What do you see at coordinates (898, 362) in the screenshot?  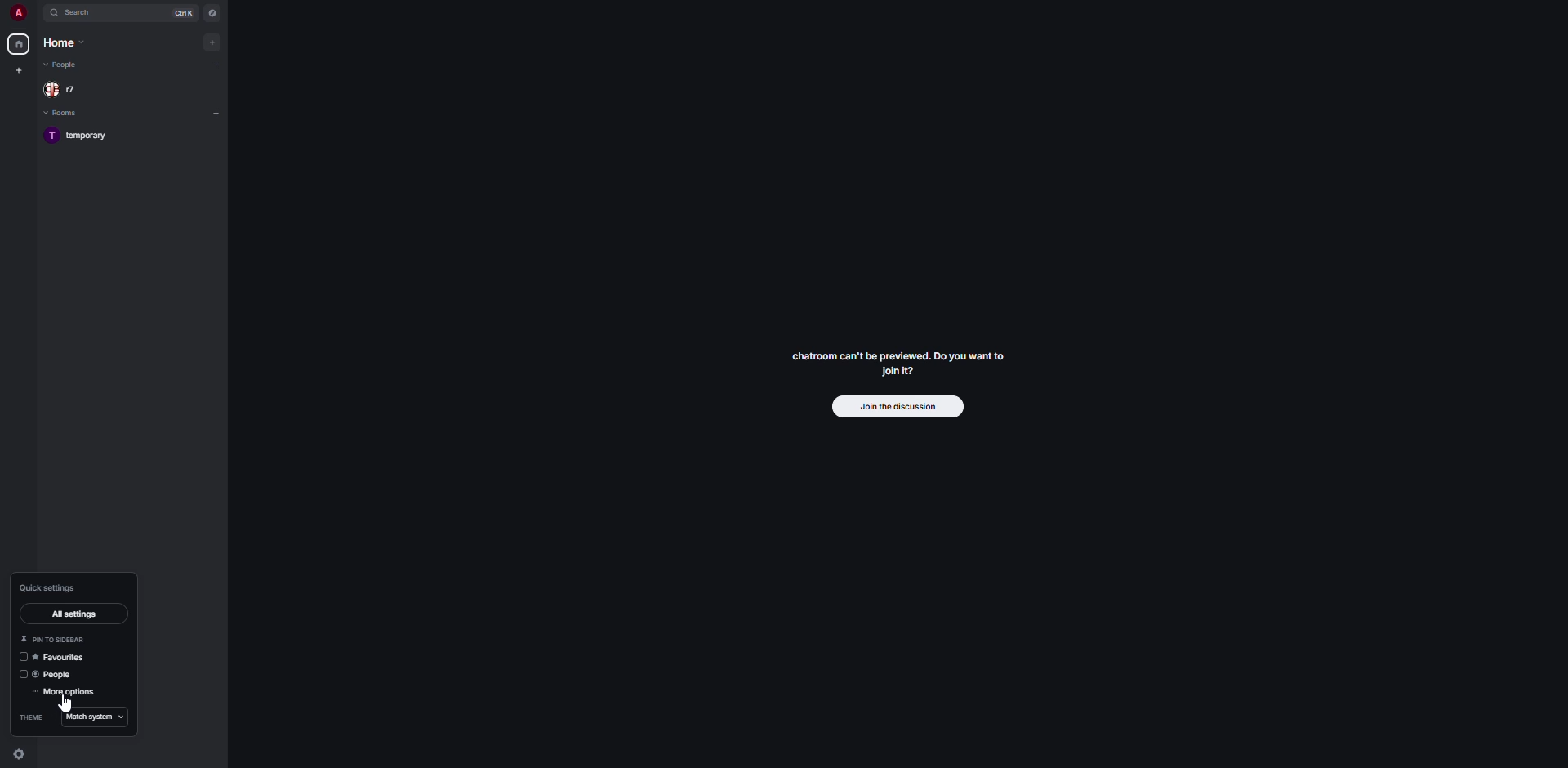 I see `chatroom can't be previewed. Do you want to join it?` at bounding box center [898, 362].